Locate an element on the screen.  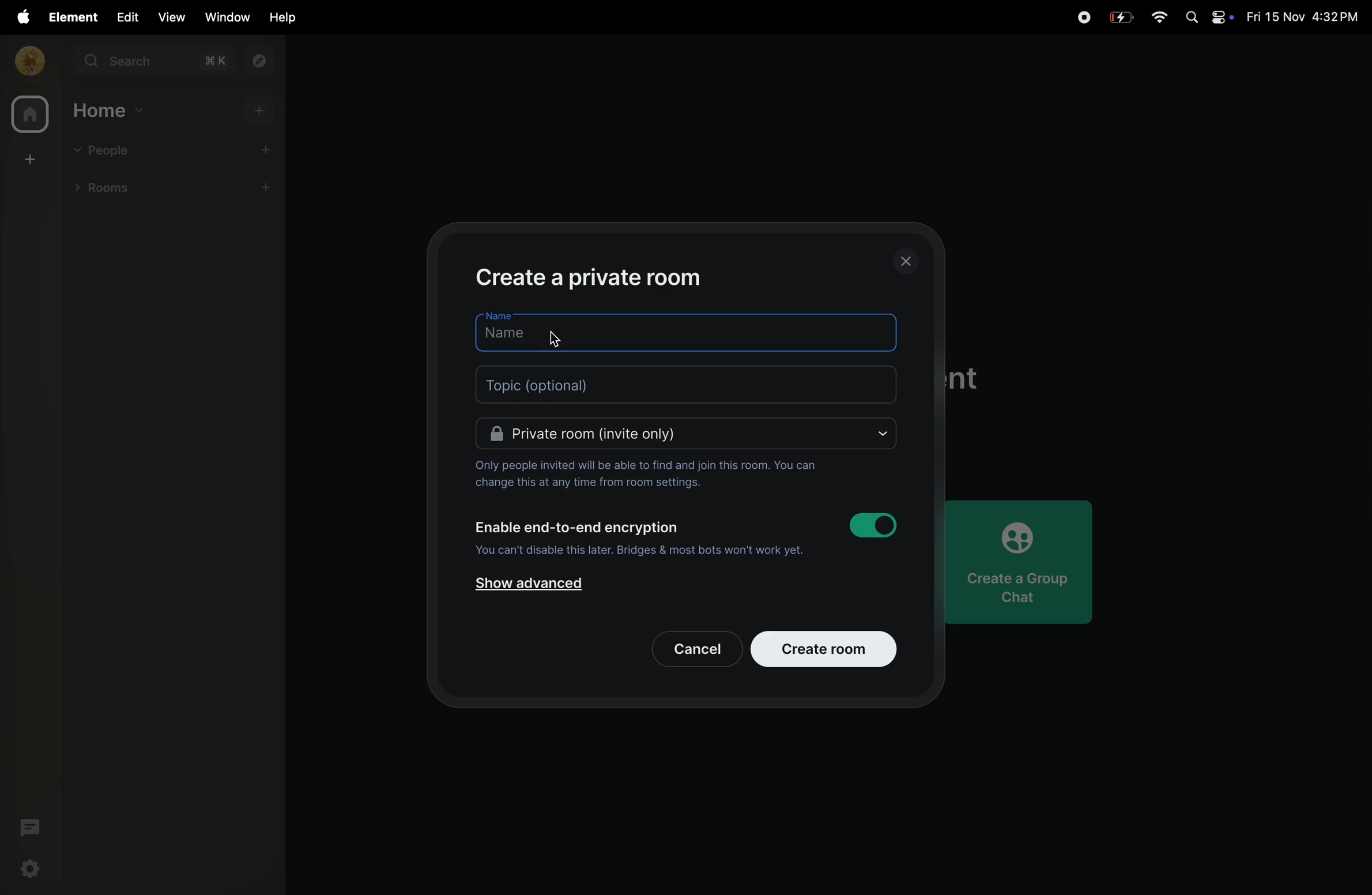
search bar is located at coordinates (156, 63).